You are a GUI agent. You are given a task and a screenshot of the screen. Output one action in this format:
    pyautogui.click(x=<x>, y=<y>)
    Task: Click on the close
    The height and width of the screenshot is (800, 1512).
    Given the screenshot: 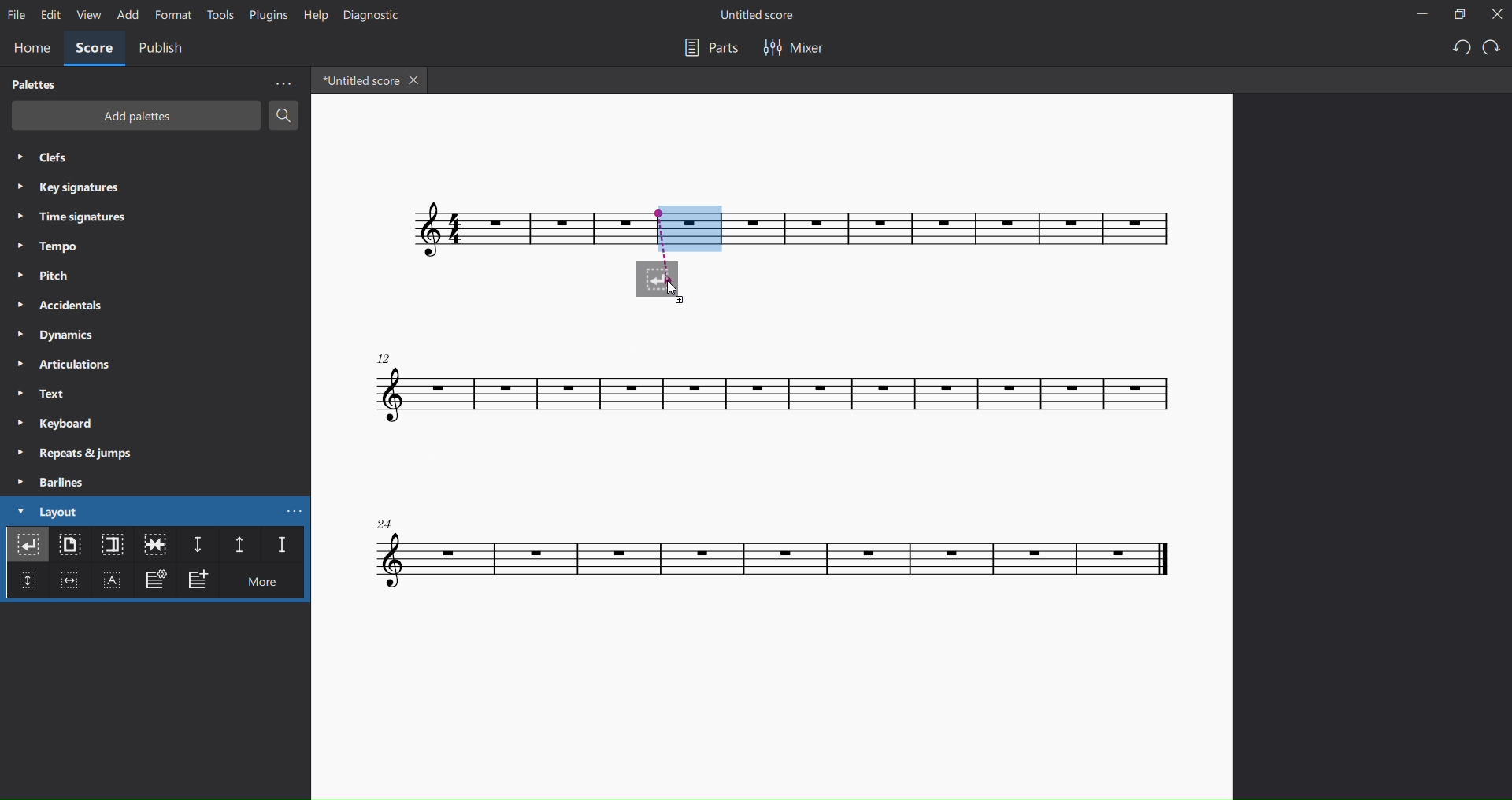 What is the action you would take?
    pyautogui.click(x=1495, y=15)
    